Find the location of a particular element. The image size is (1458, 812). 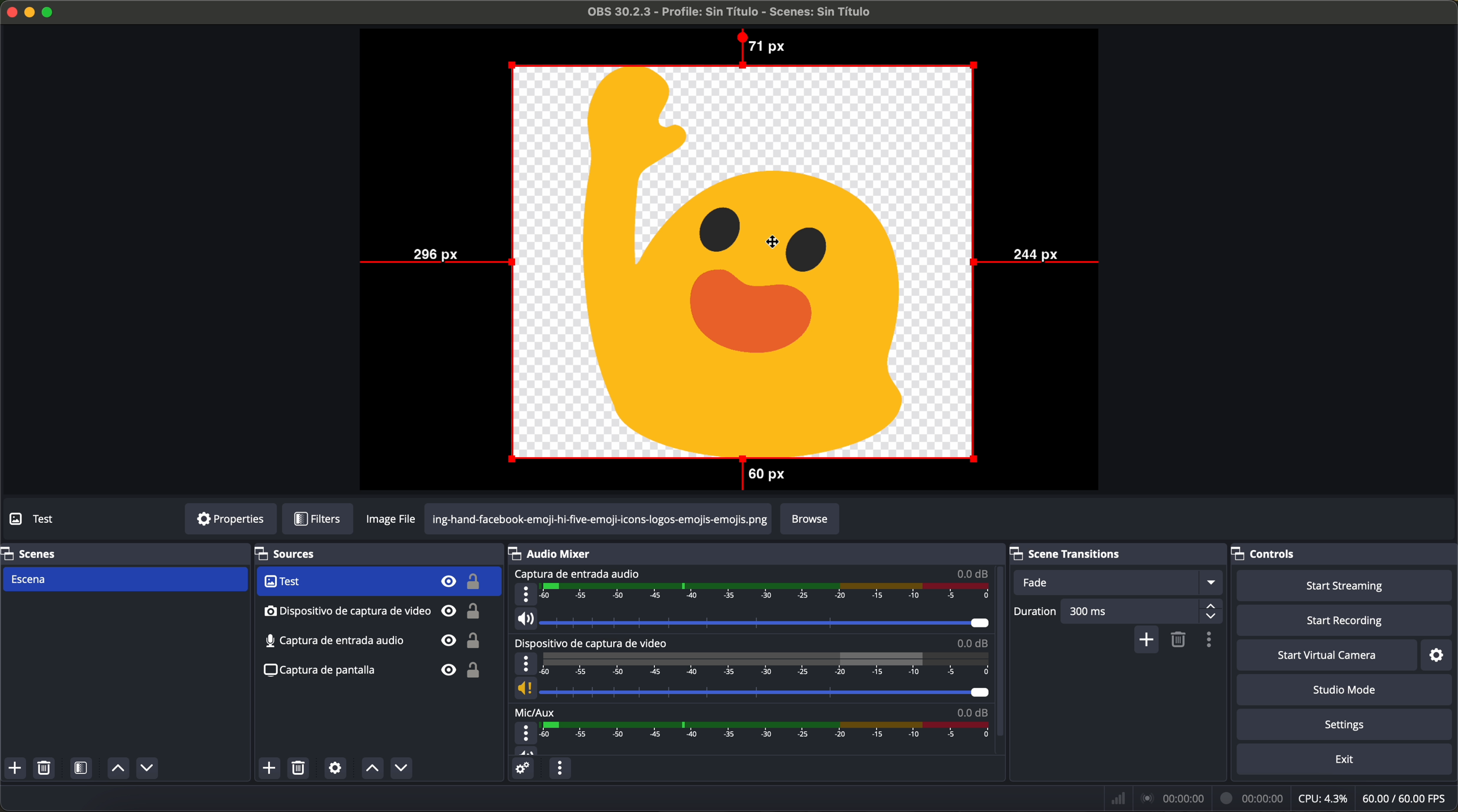

exit is located at coordinates (1346, 761).